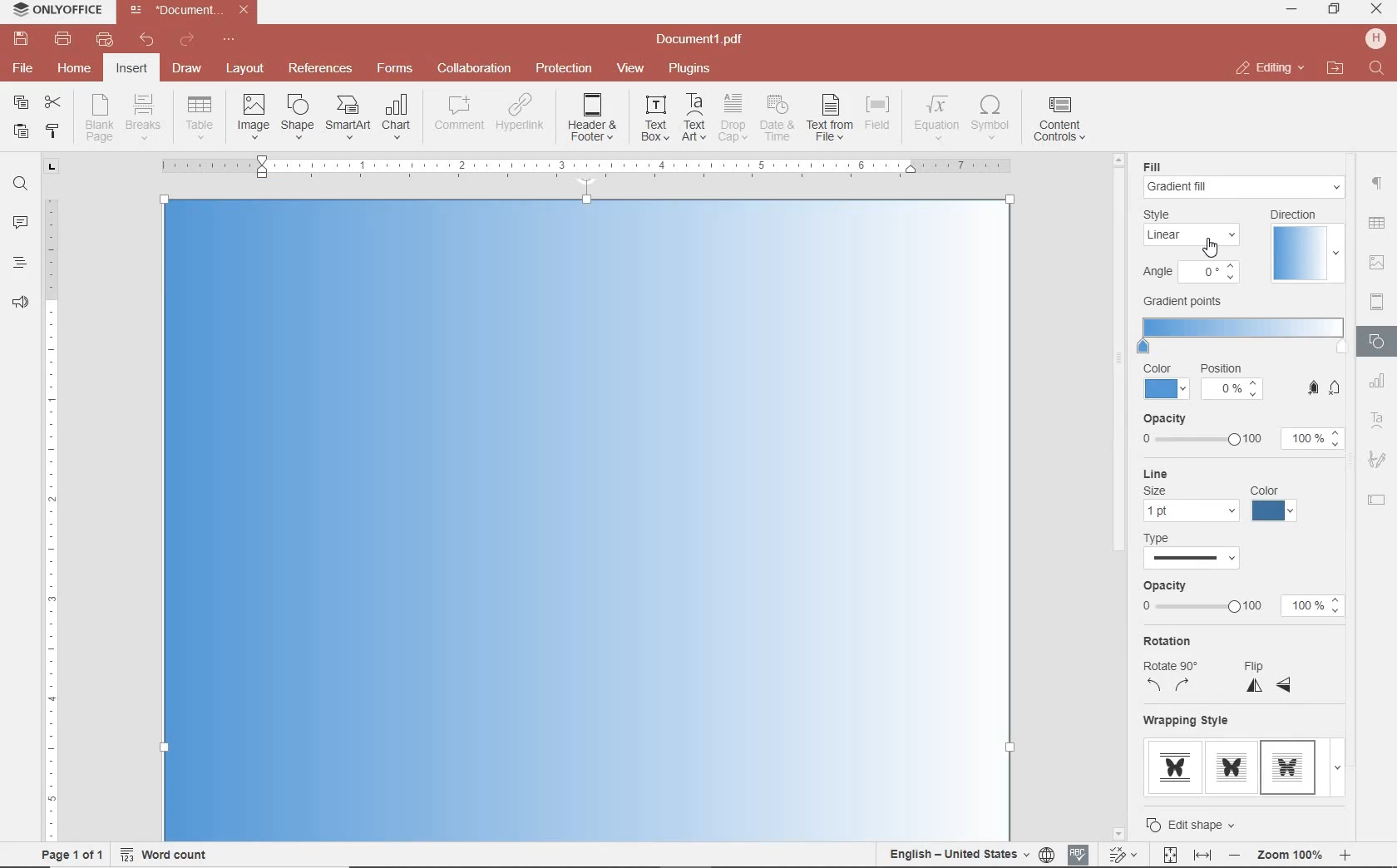 The height and width of the screenshot is (868, 1397). I want to click on EDIT HEADER OR FOOTER, so click(594, 118).